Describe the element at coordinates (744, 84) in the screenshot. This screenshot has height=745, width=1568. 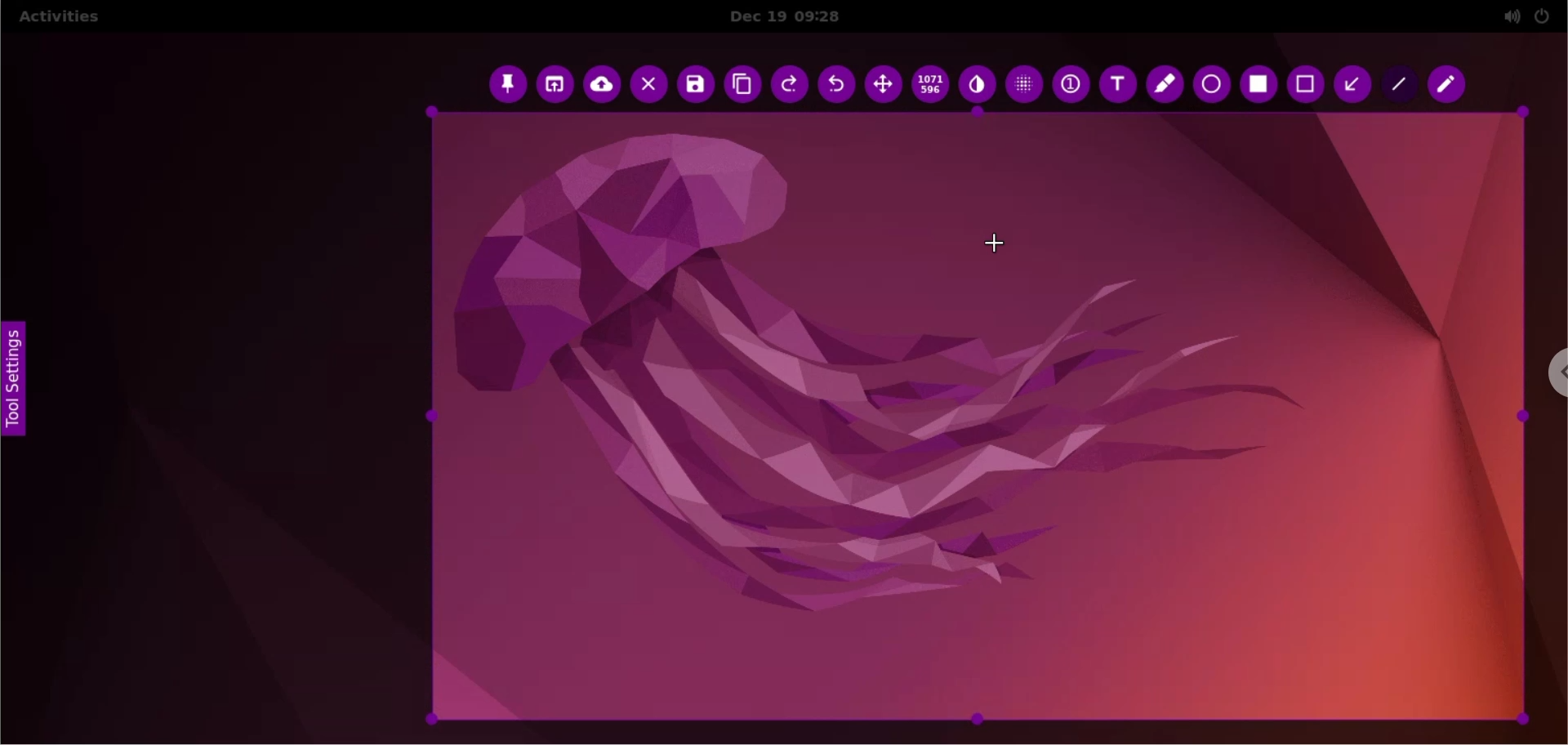
I see `copy to clipboard ` at that location.